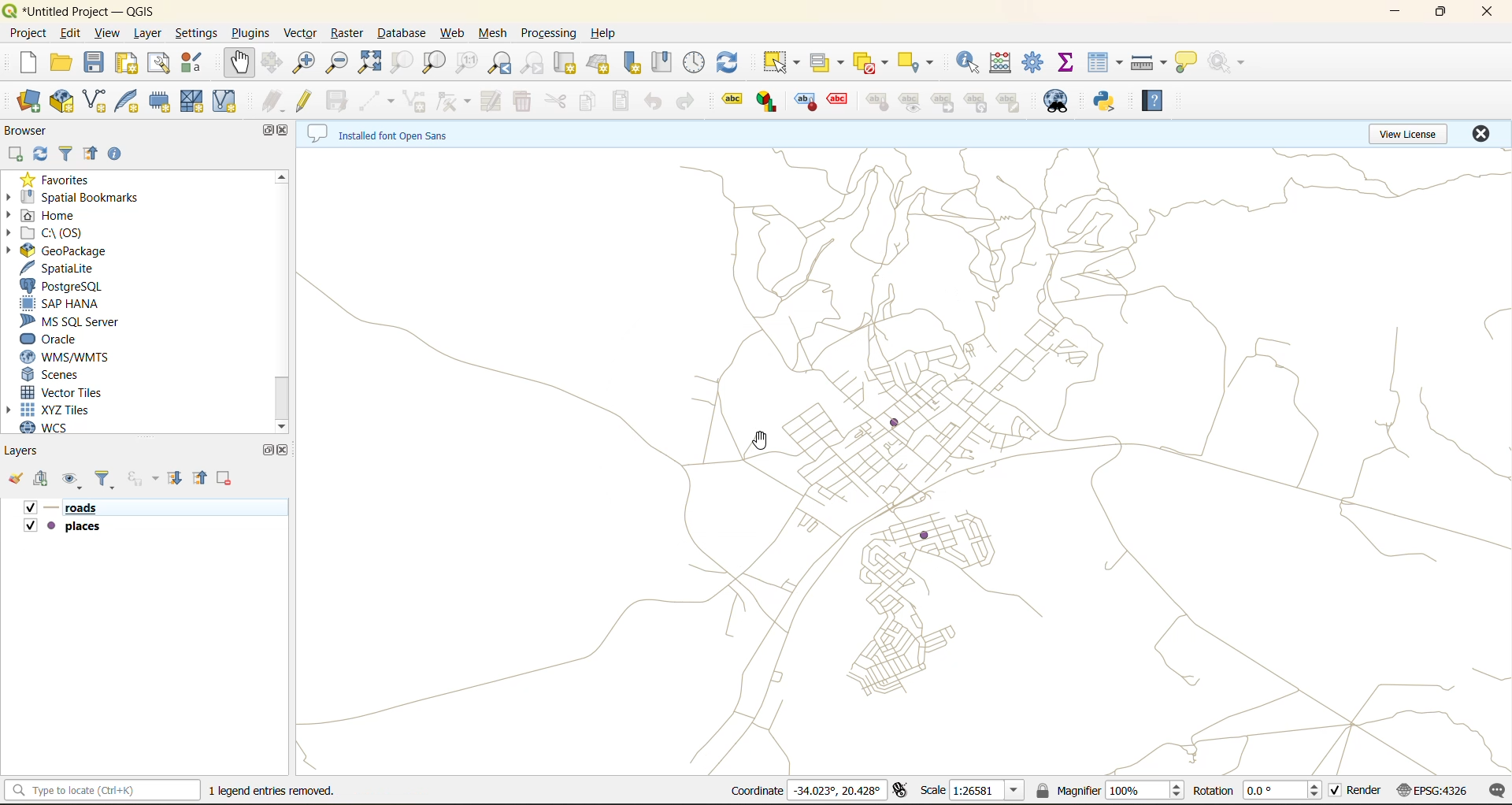 The image size is (1512, 805). I want to click on zoom in, so click(306, 63).